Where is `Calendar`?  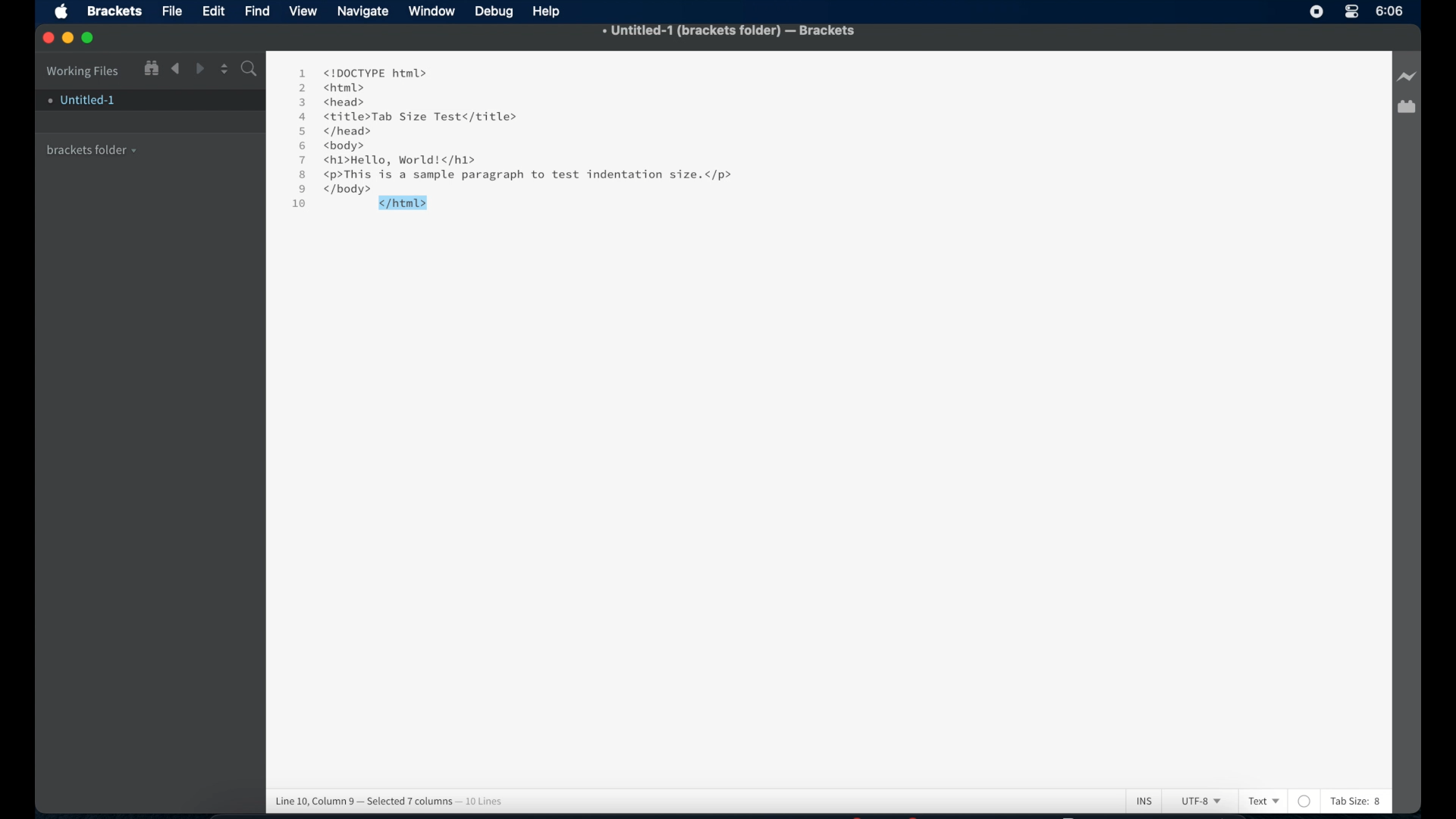
Calendar is located at coordinates (1406, 108).